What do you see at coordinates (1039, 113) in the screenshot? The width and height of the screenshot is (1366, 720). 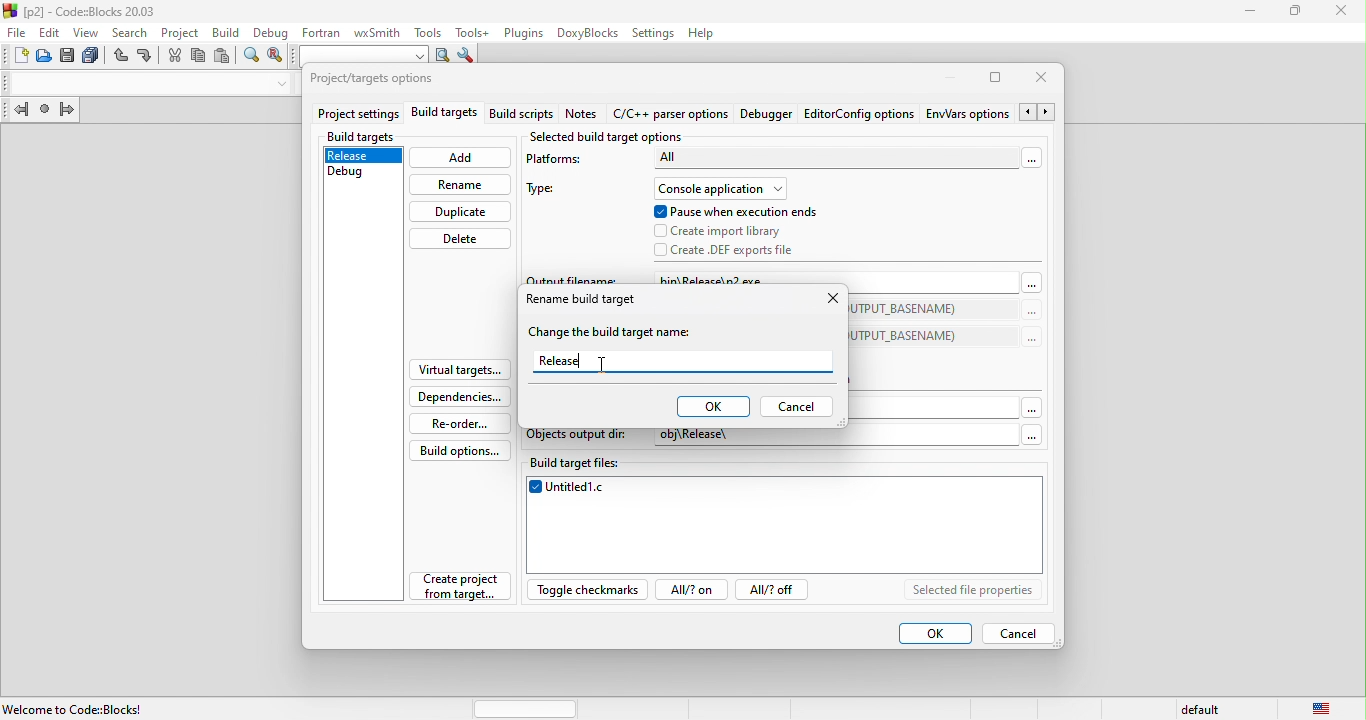 I see `Arrows` at bounding box center [1039, 113].